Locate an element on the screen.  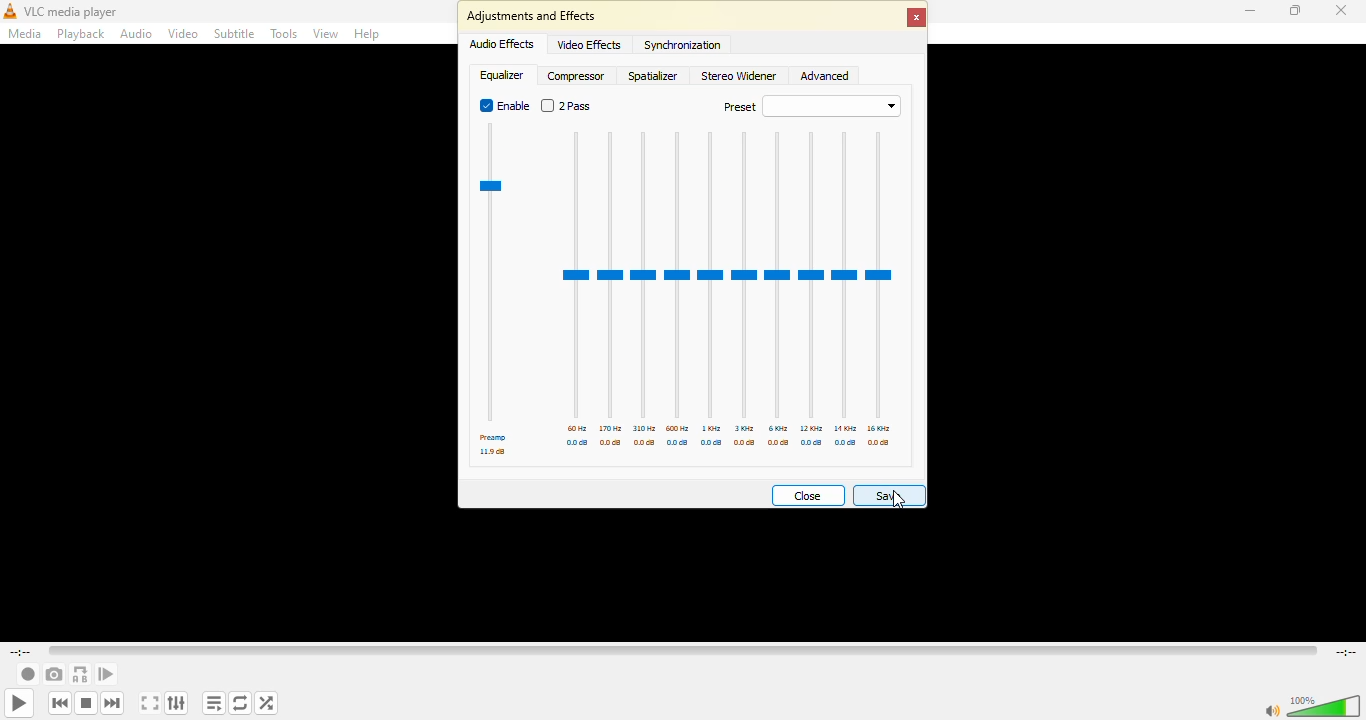
db is located at coordinates (712, 445).